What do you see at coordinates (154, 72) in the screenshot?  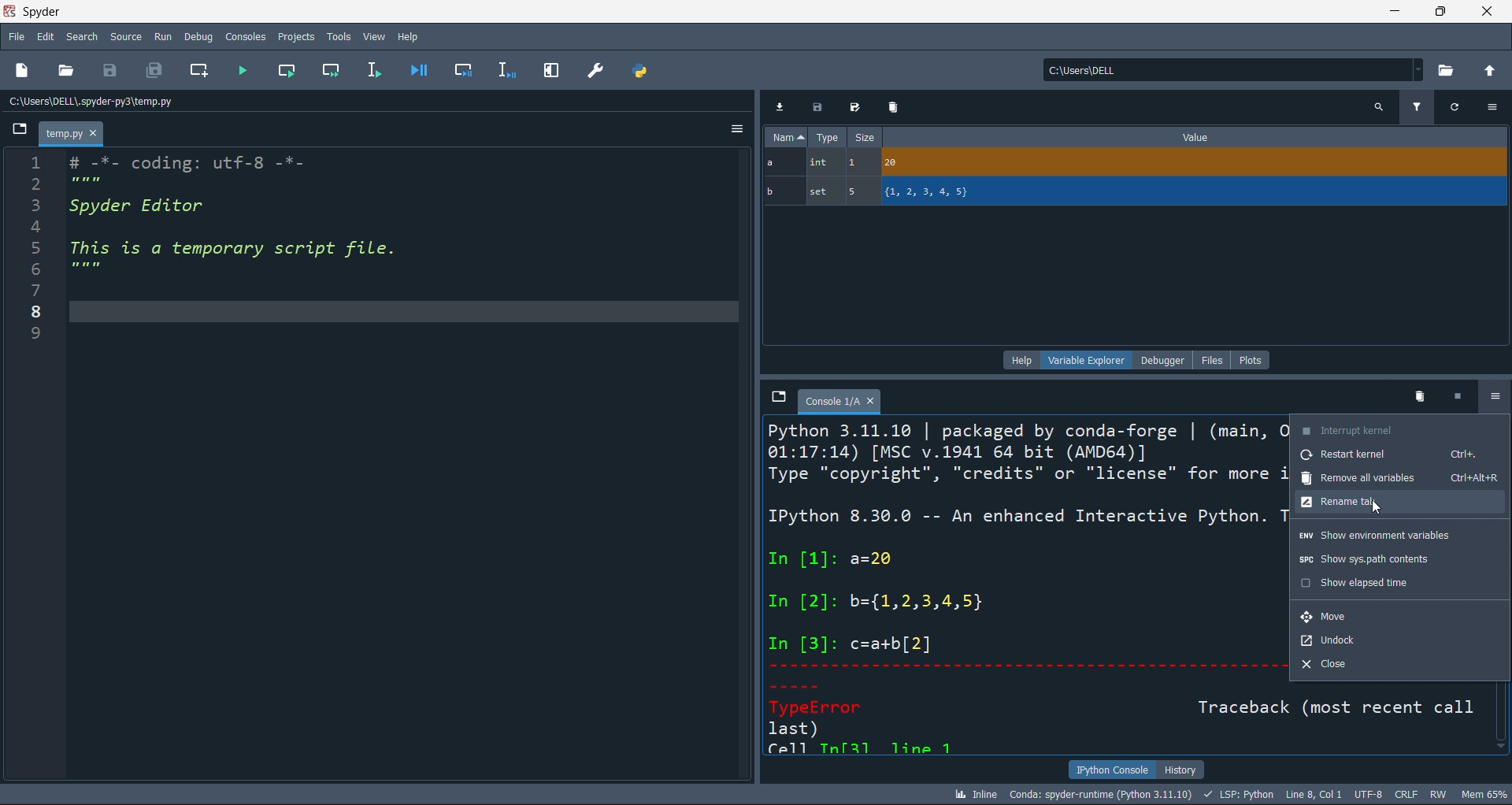 I see `save all` at bounding box center [154, 72].